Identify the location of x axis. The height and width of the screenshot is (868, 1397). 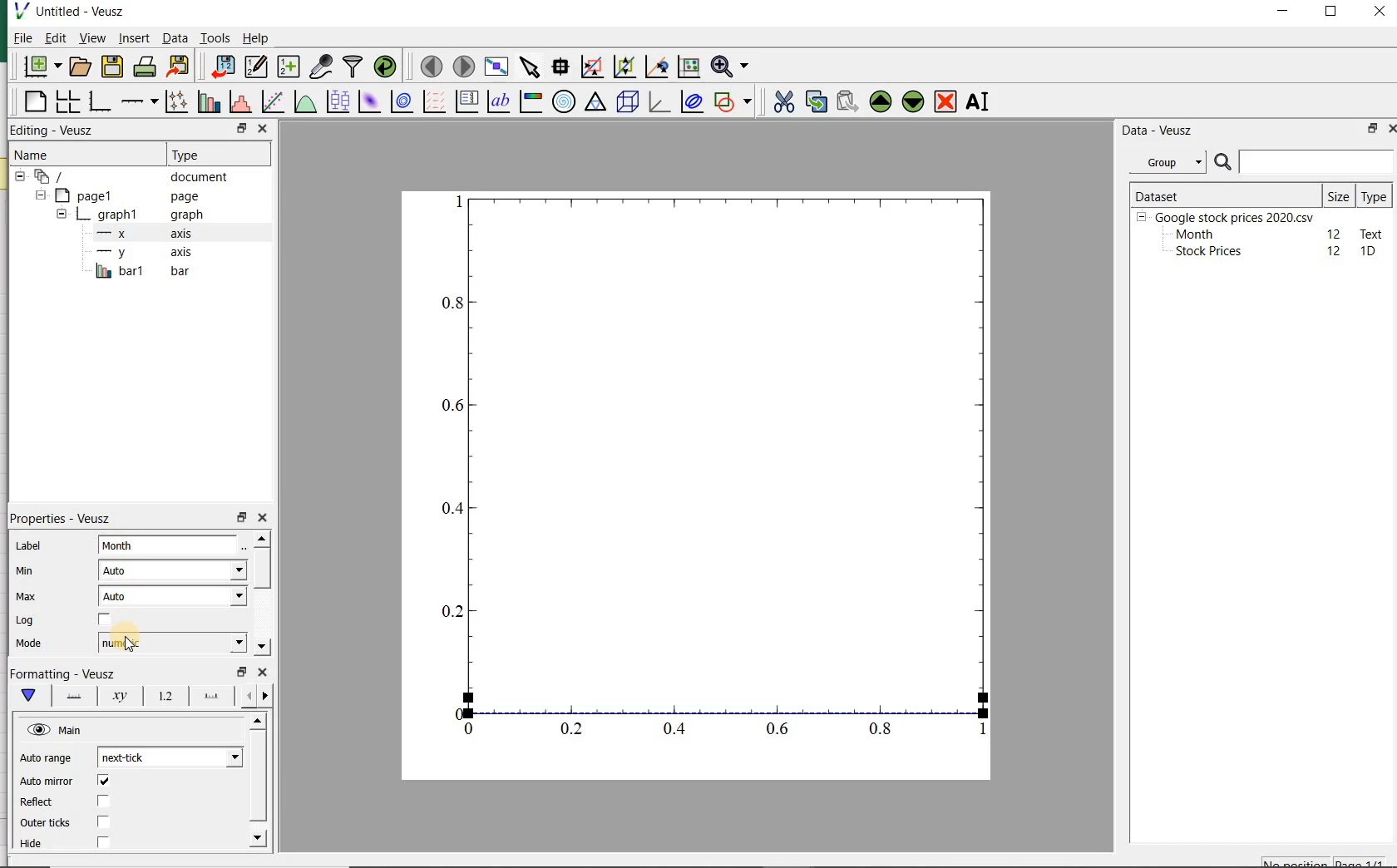
(137, 234).